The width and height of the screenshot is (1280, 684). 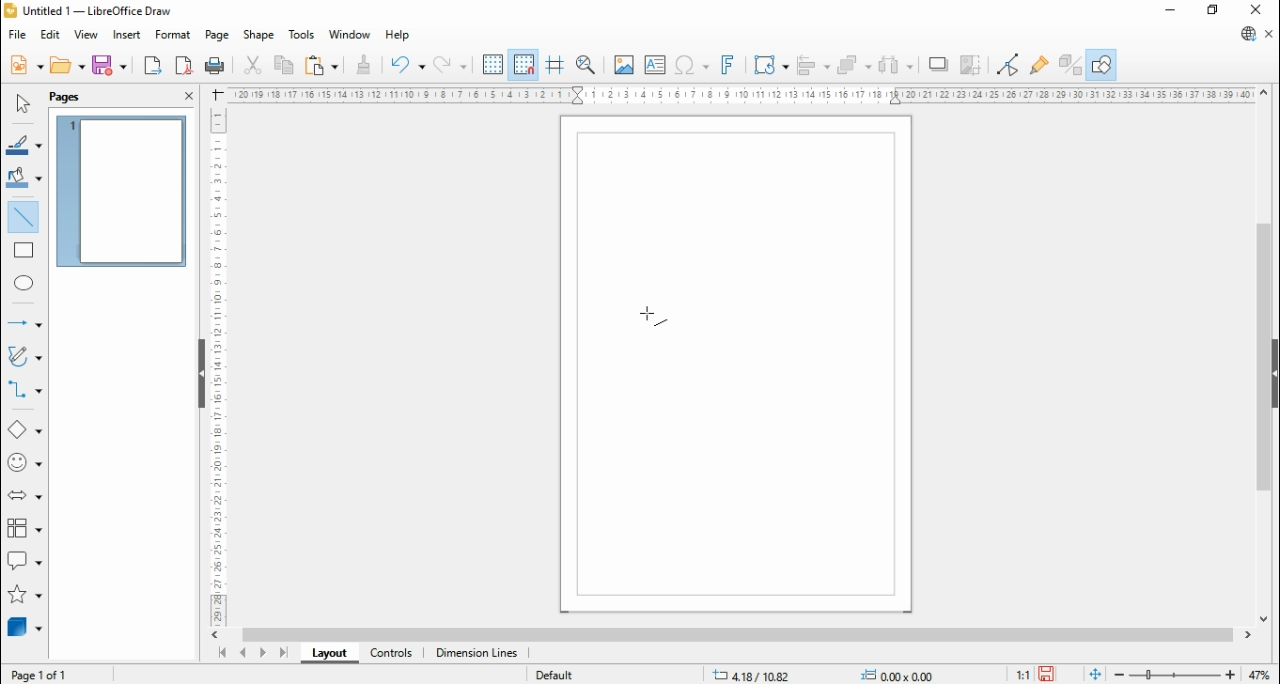 I want to click on 1:1, so click(x=1021, y=675).